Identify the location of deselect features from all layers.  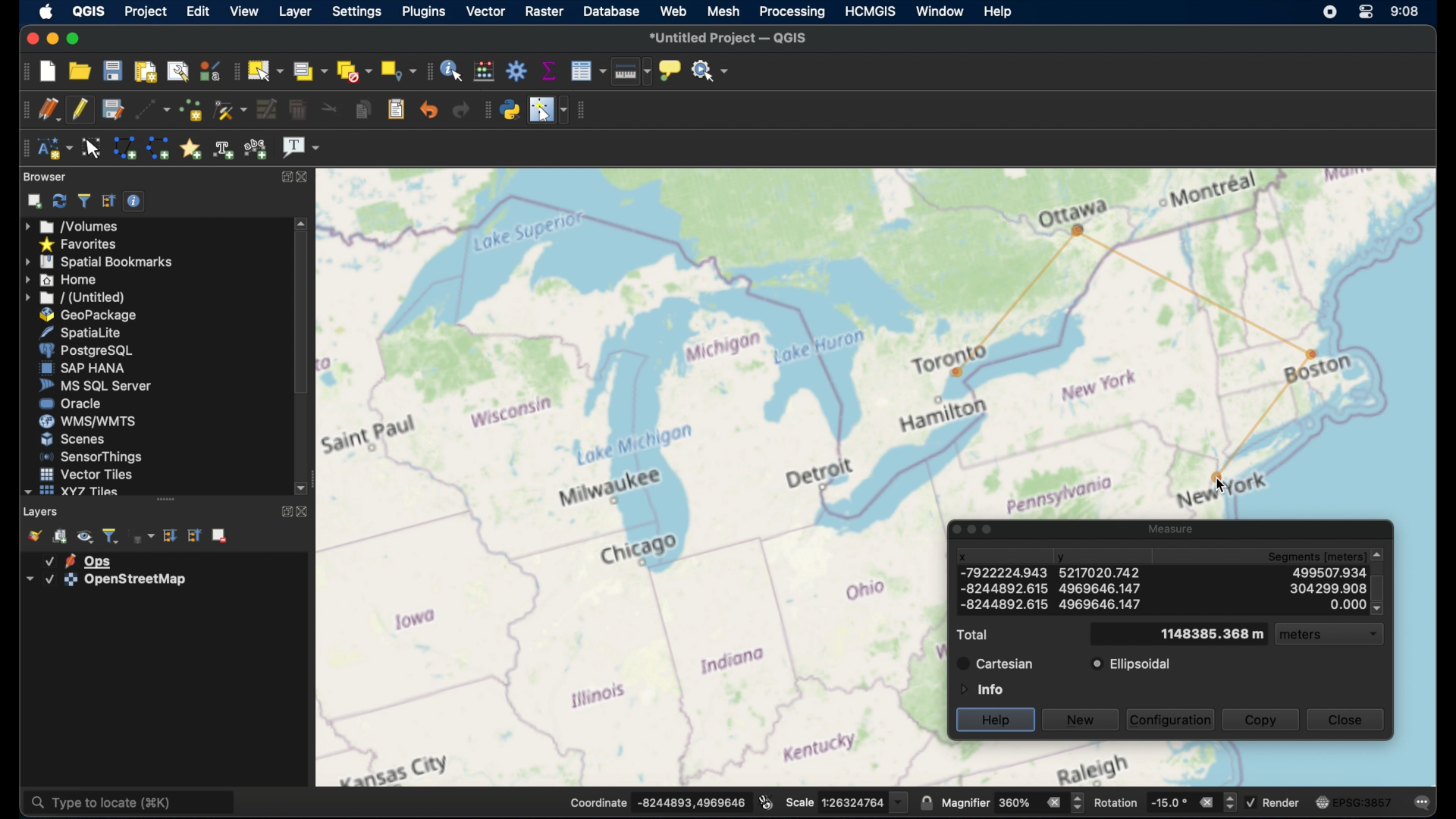
(353, 71).